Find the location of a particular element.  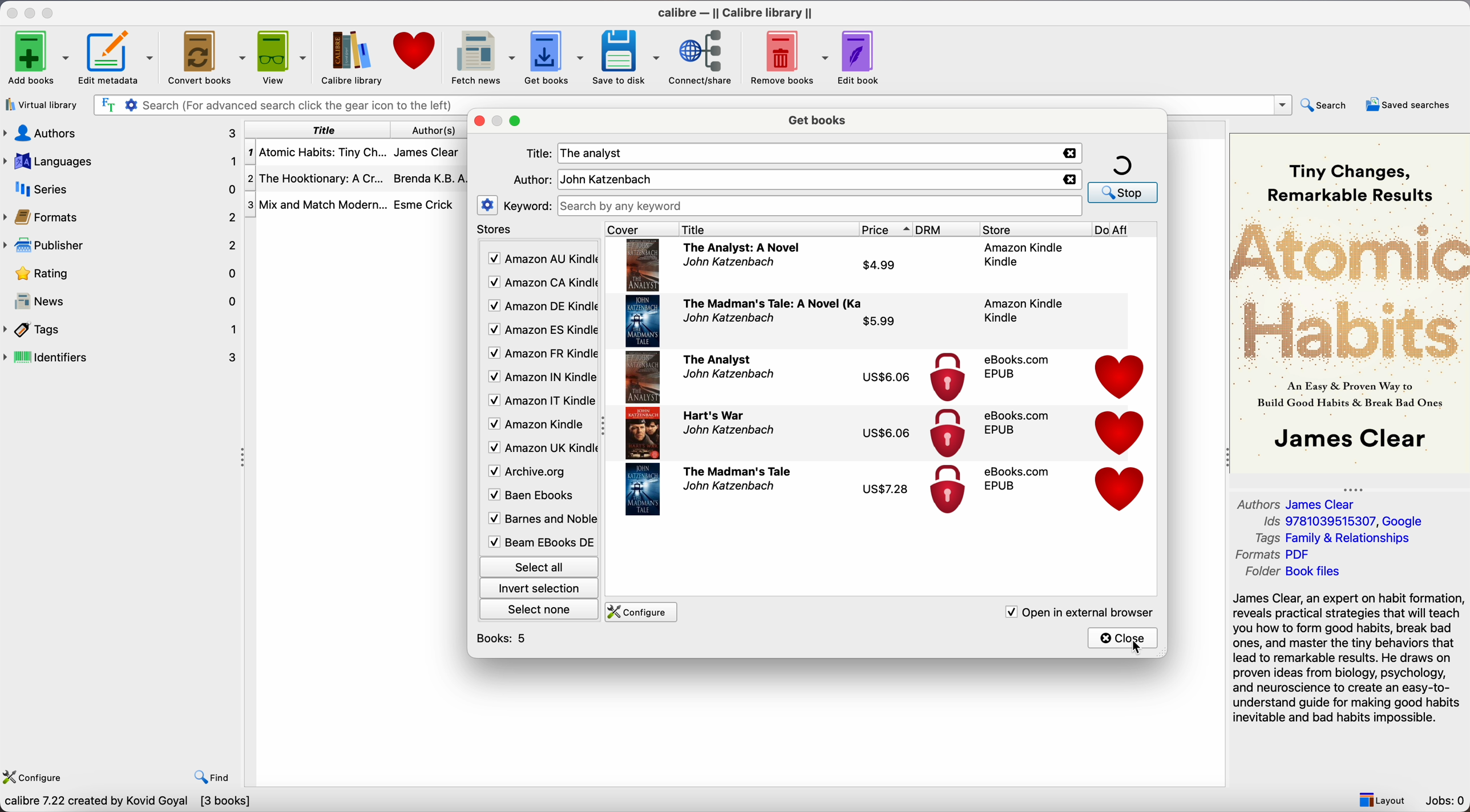

cursor is located at coordinates (1139, 649).